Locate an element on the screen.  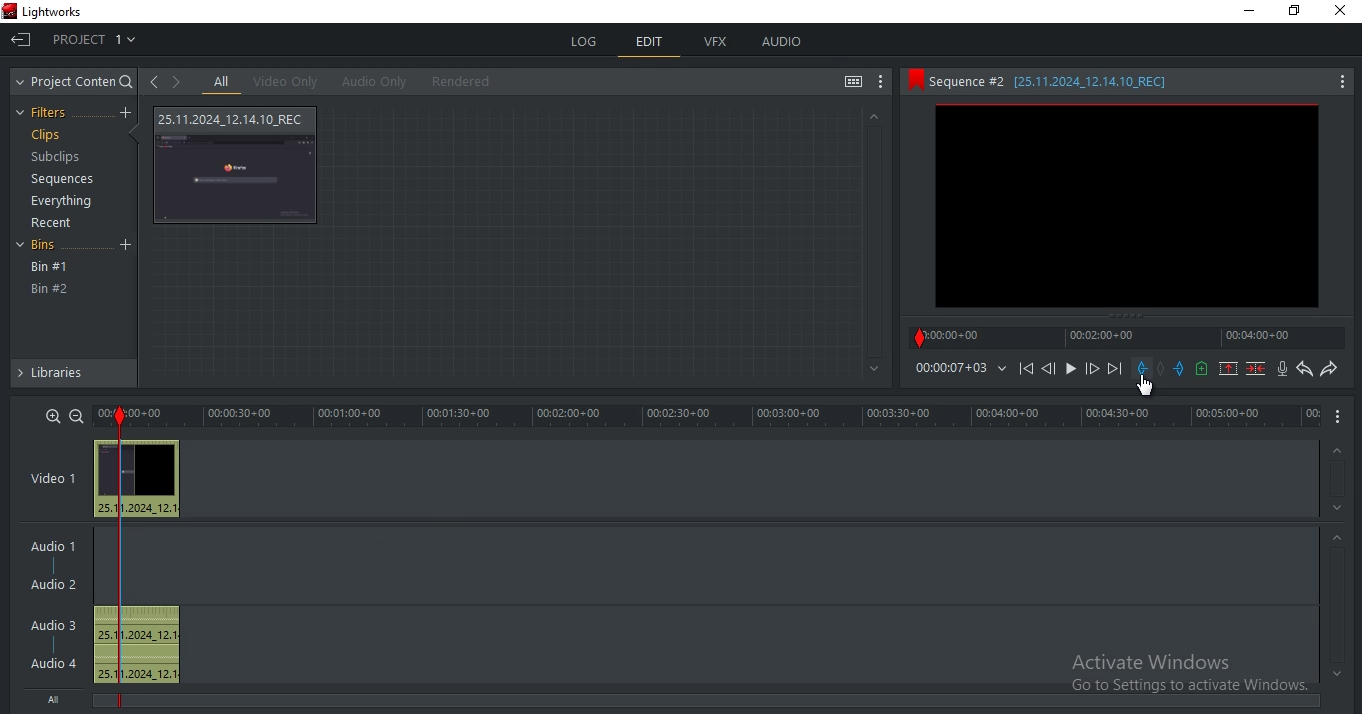
Bottom is located at coordinates (871, 369).